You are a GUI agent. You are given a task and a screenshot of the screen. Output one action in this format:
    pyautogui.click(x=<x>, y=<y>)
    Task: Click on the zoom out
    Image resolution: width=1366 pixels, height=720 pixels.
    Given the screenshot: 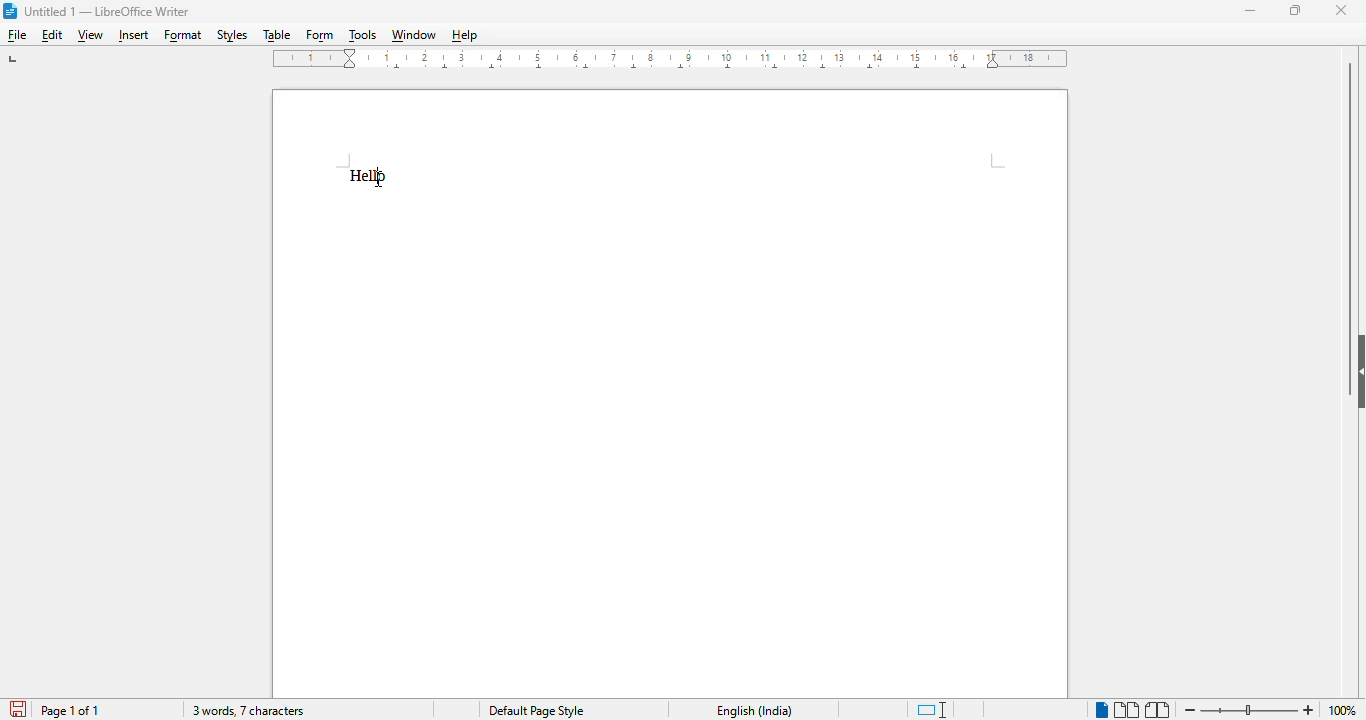 What is the action you would take?
    pyautogui.click(x=1191, y=710)
    